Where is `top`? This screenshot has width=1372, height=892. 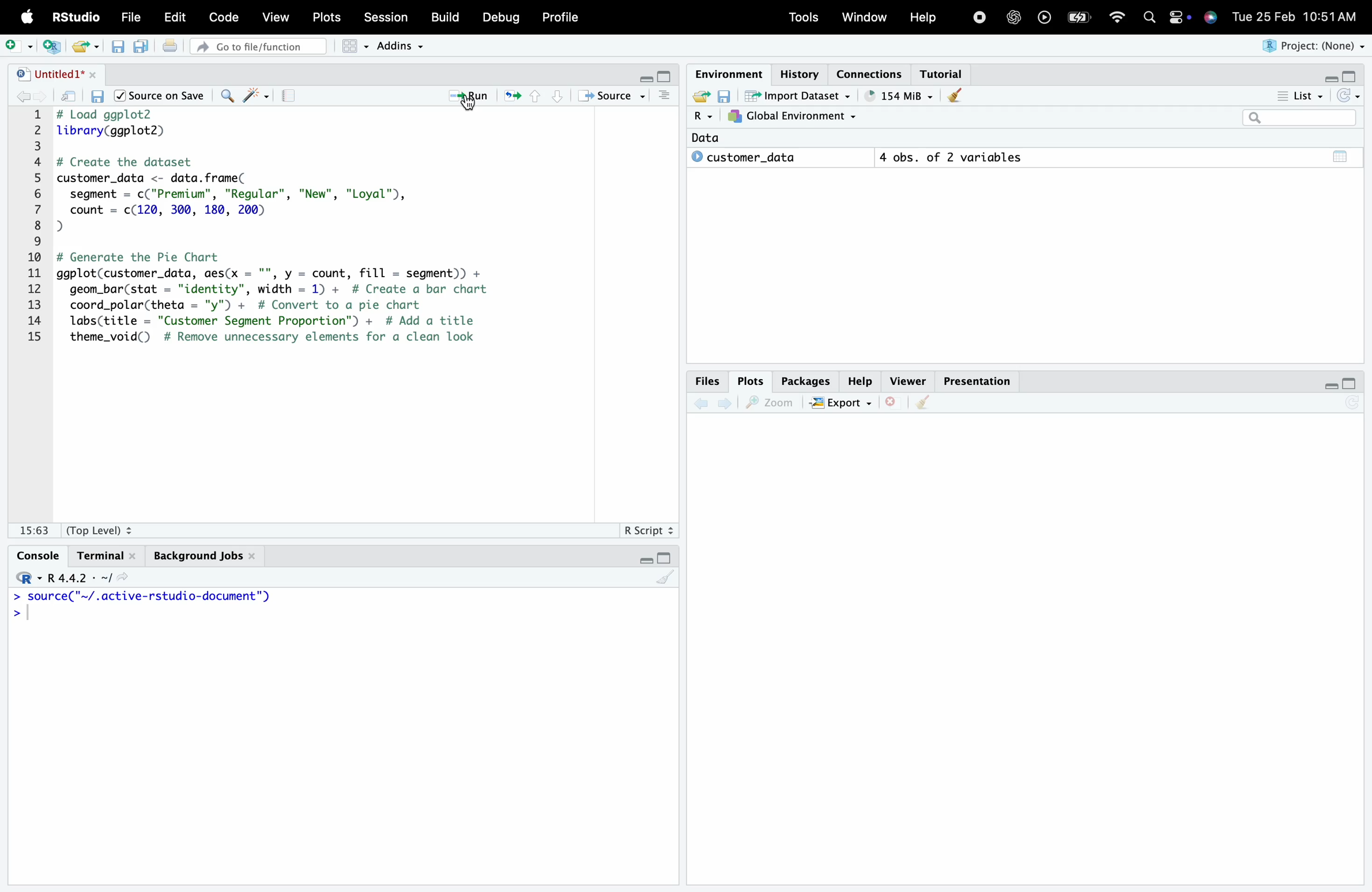
top is located at coordinates (533, 99).